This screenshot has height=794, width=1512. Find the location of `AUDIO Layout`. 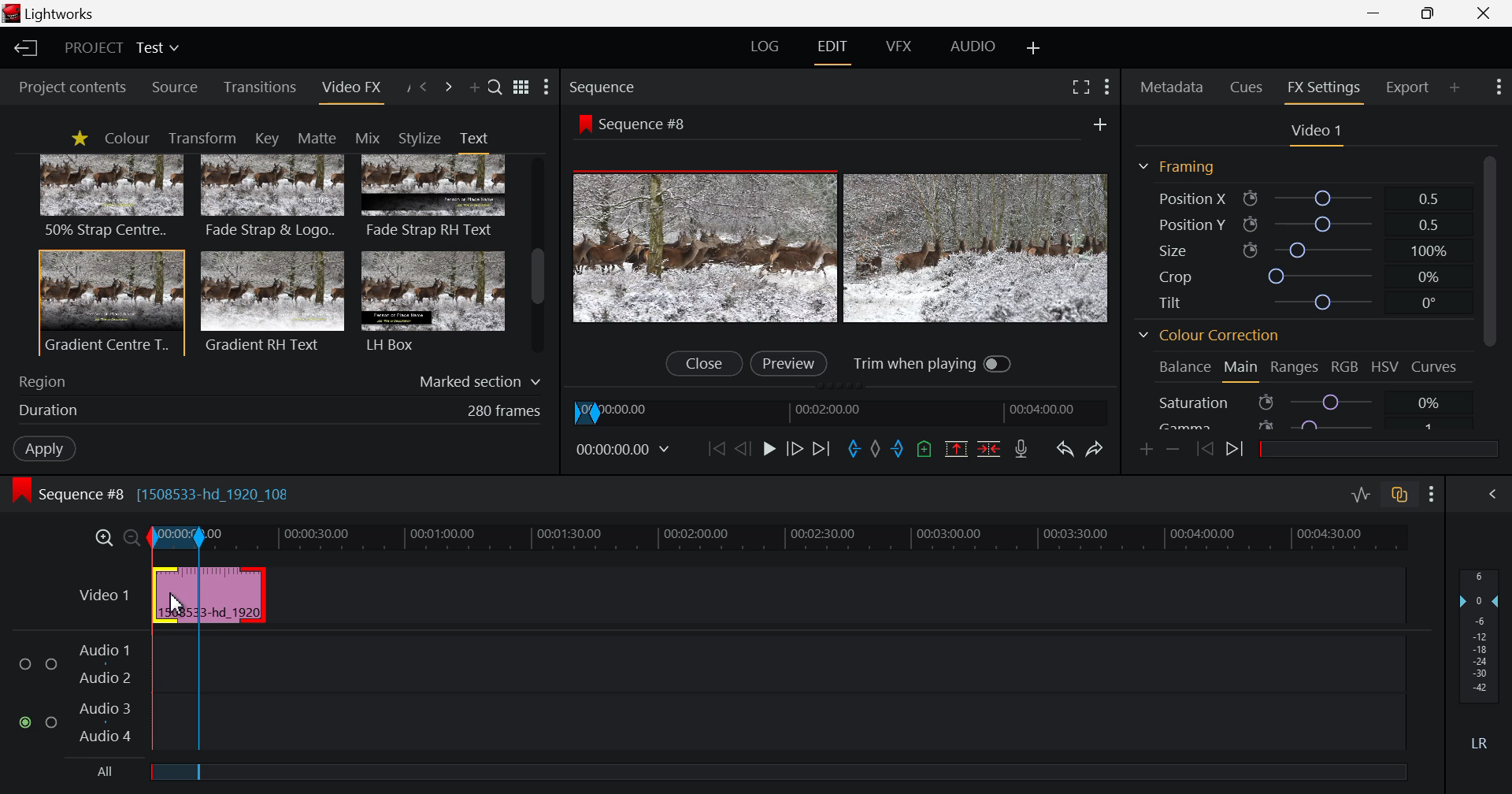

AUDIO Layout is located at coordinates (978, 45).